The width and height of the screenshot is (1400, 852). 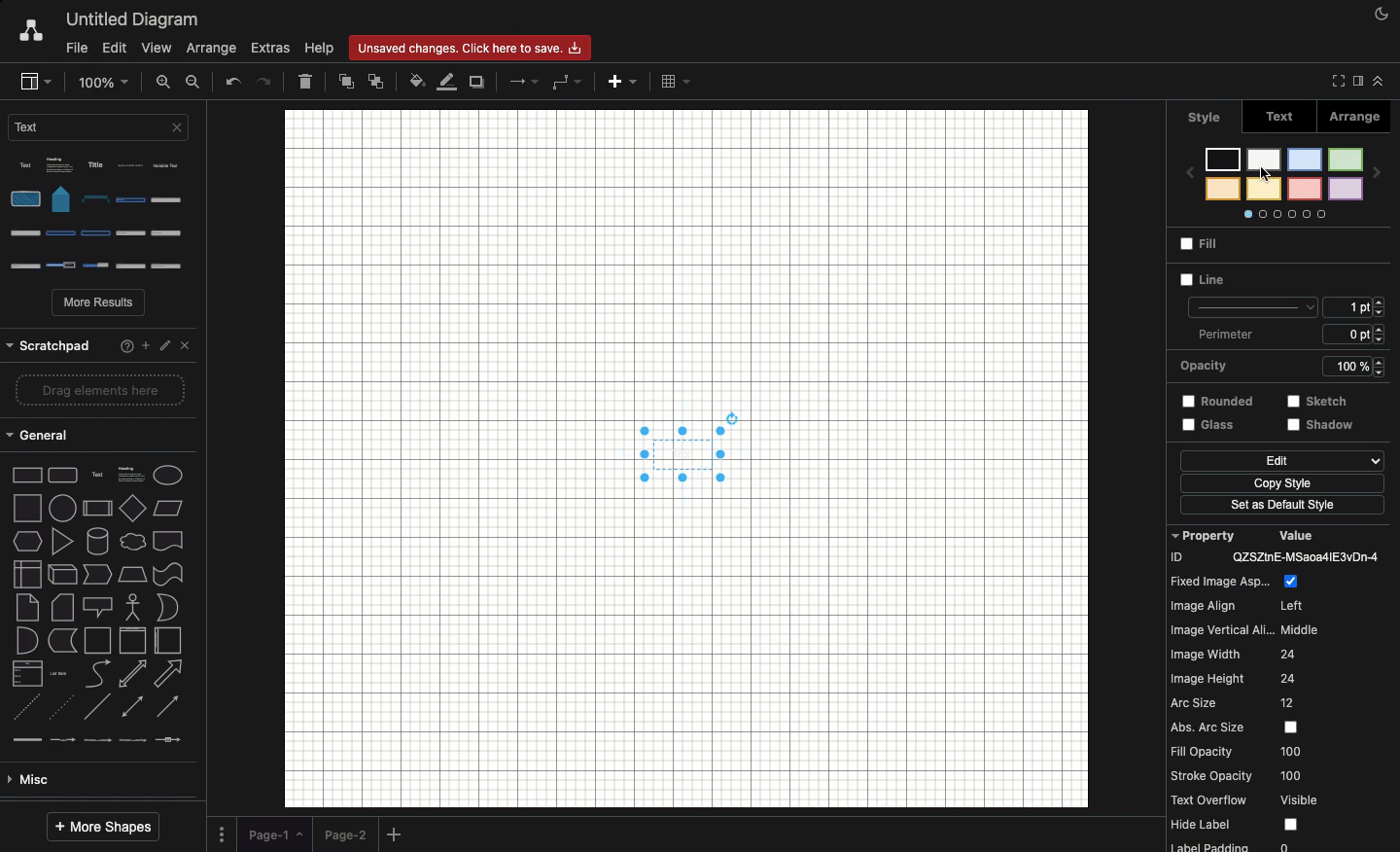 What do you see at coordinates (1332, 427) in the screenshot?
I see `` at bounding box center [1332, 427].